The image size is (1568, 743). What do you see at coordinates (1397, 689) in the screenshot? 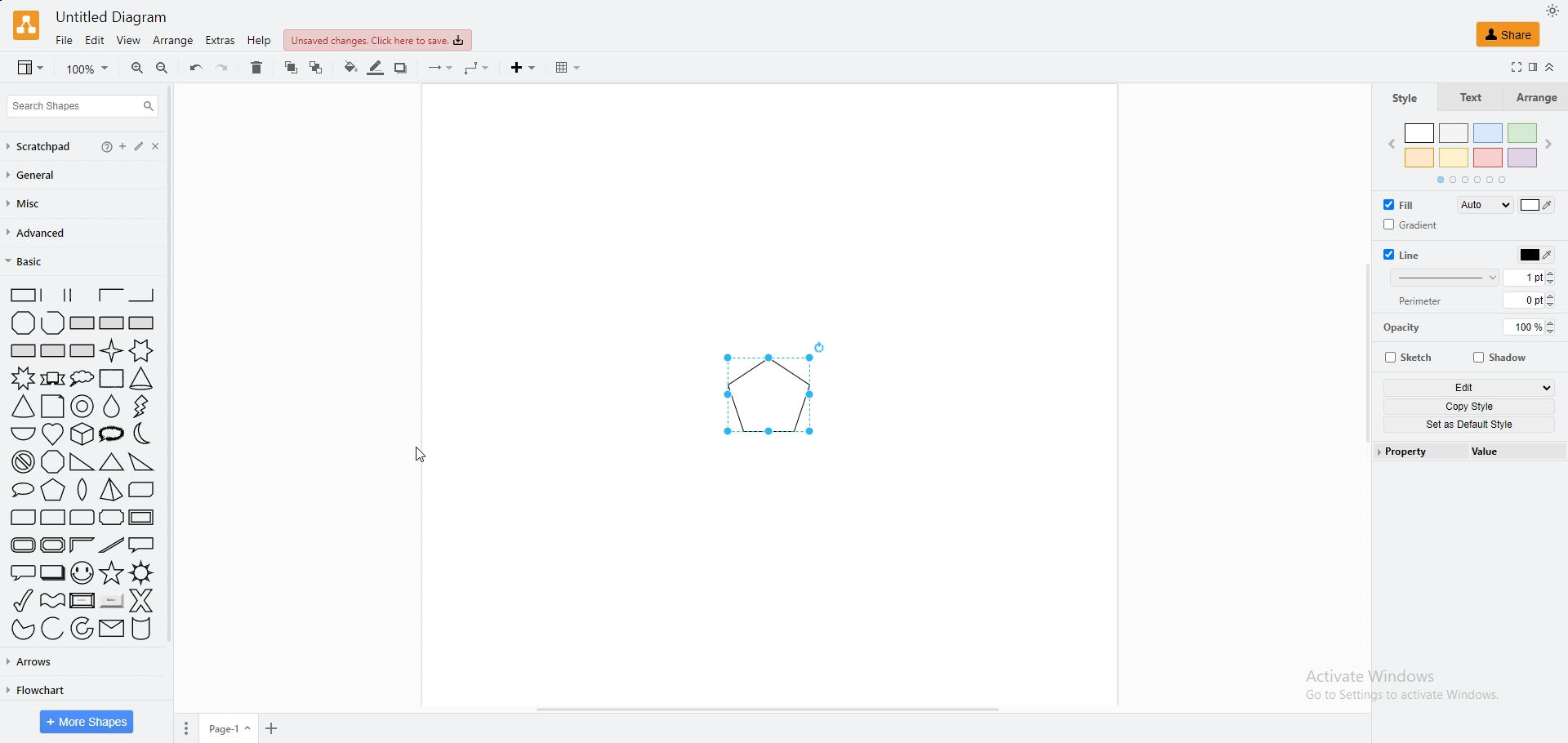
I see `Activate Windows
Go to Settings to activate Windows.` at bounding box center [1397, 689].